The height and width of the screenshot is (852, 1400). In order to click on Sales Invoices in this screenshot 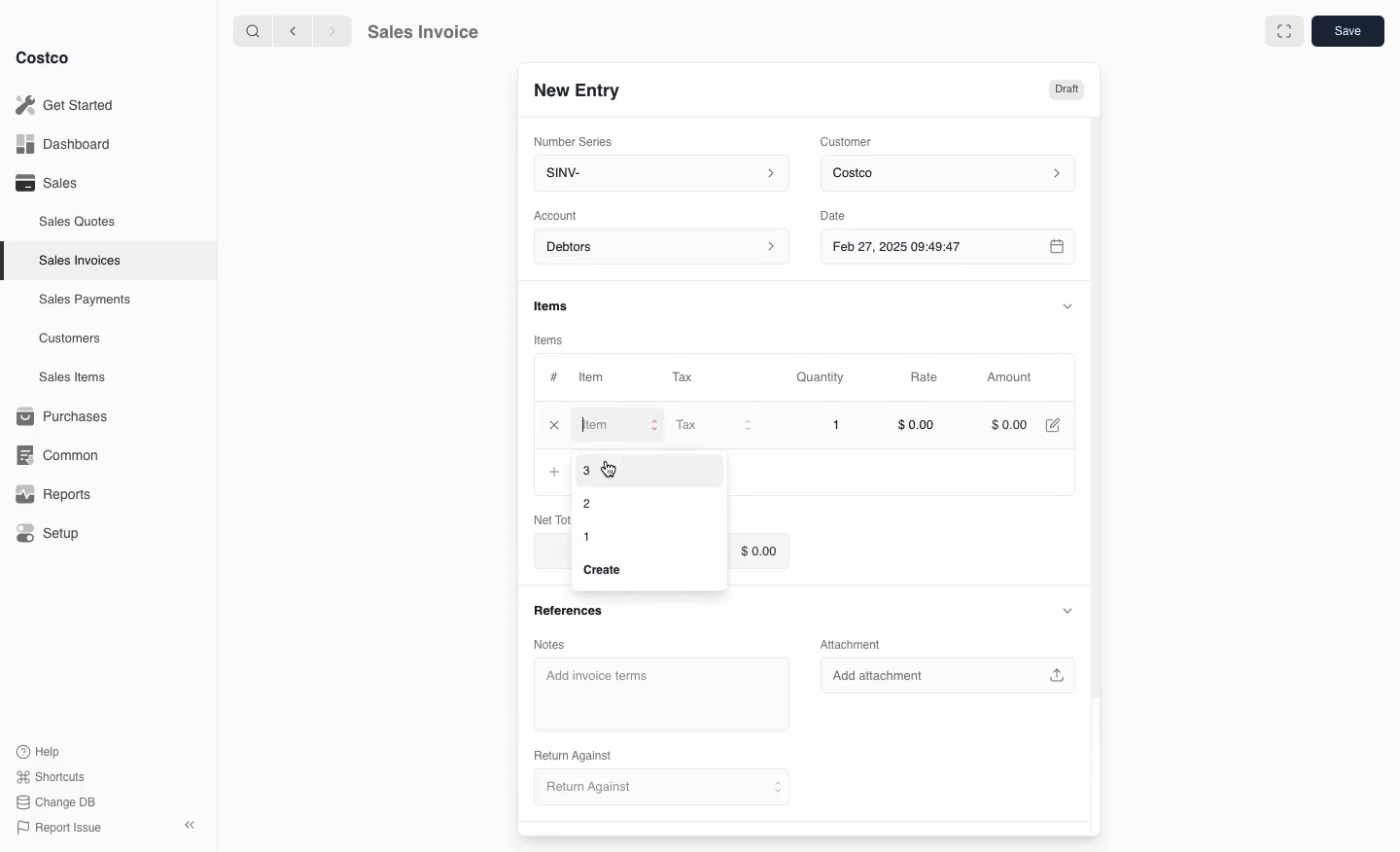, I will do `click(83, 260)`.